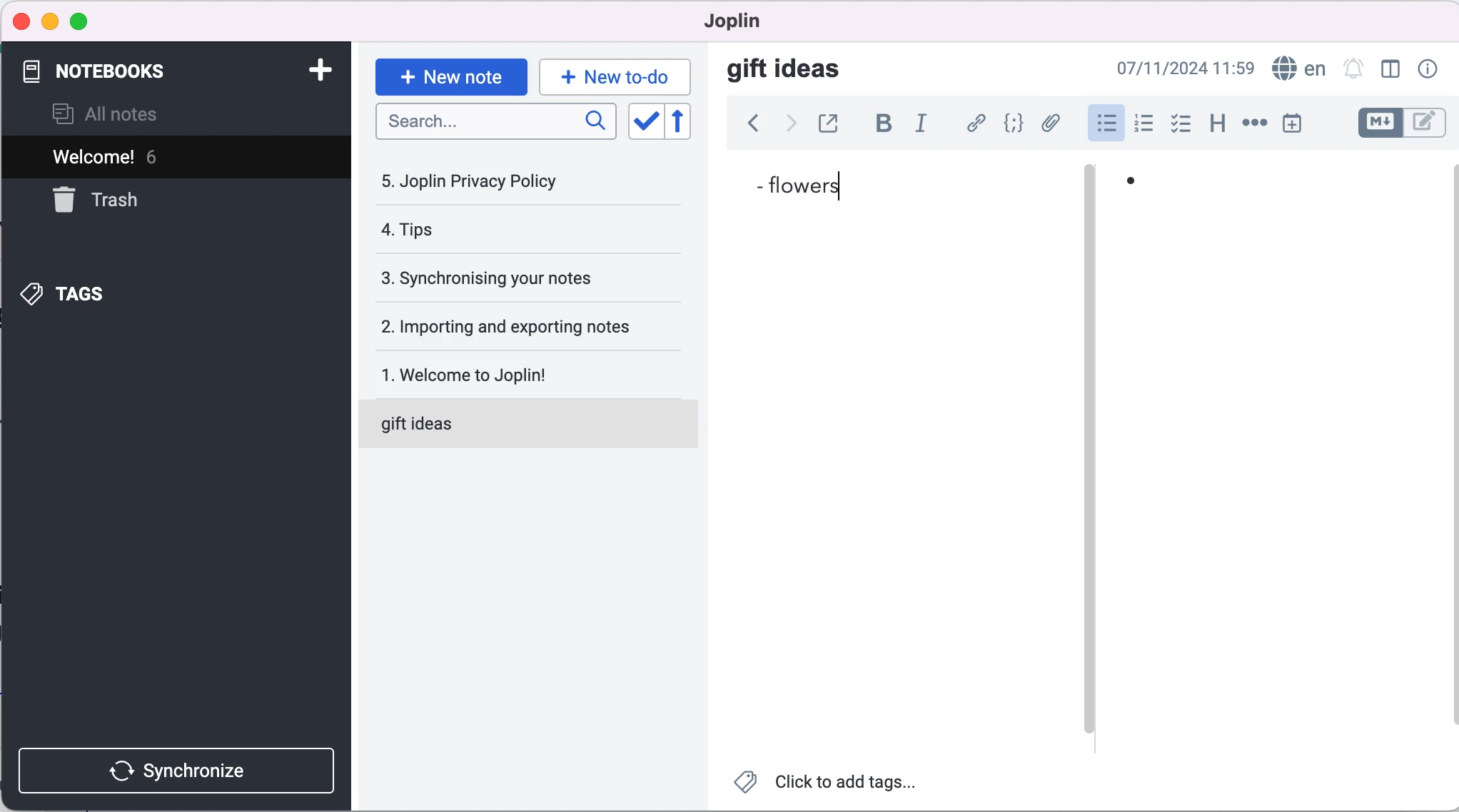  Describe the element at coordinates (975, 123) in the screenshot. I see `hyperlink` at that location.